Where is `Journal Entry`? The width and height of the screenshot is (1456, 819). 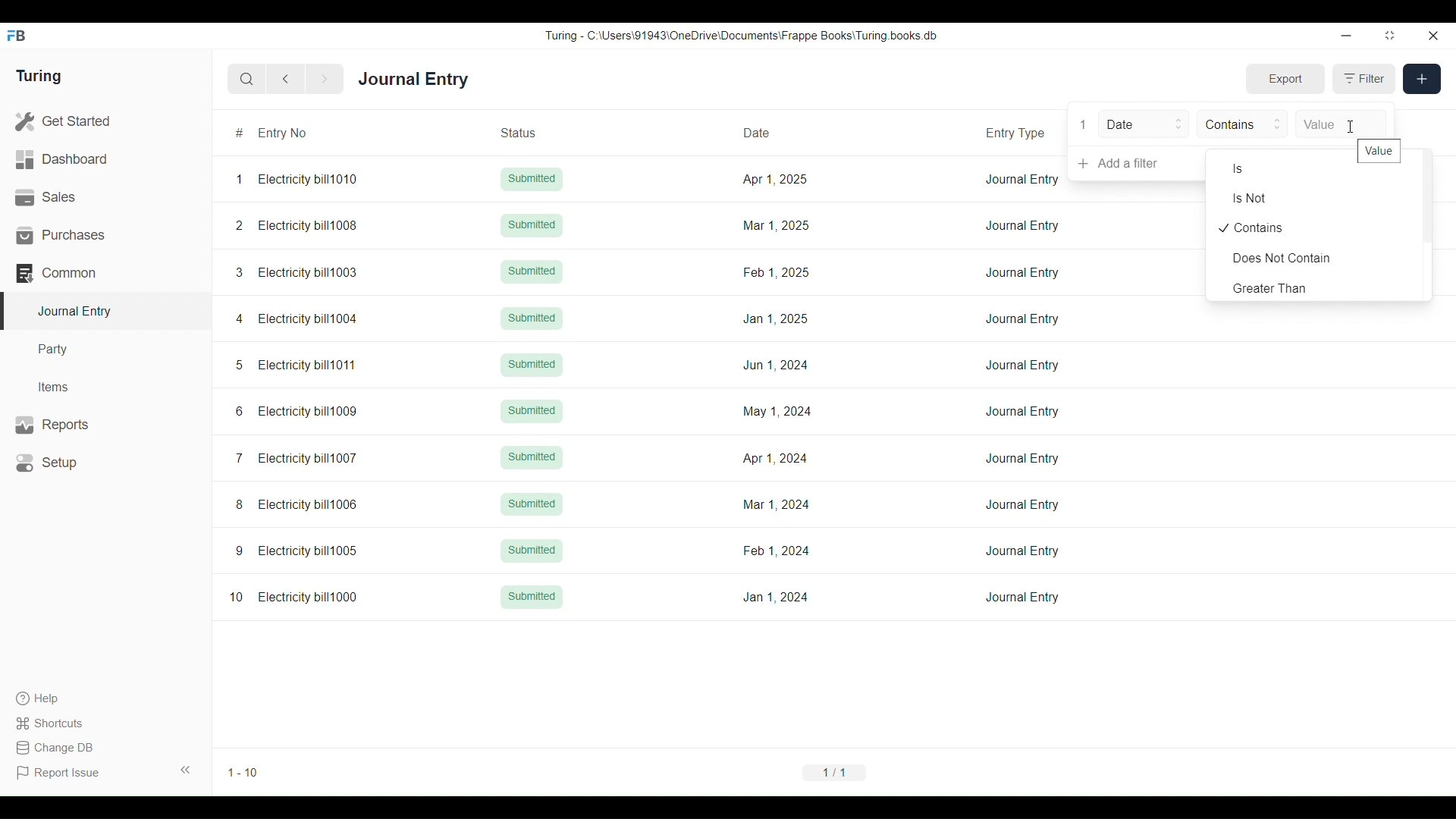 Journal Entry is located at coordinates (1022, 226).